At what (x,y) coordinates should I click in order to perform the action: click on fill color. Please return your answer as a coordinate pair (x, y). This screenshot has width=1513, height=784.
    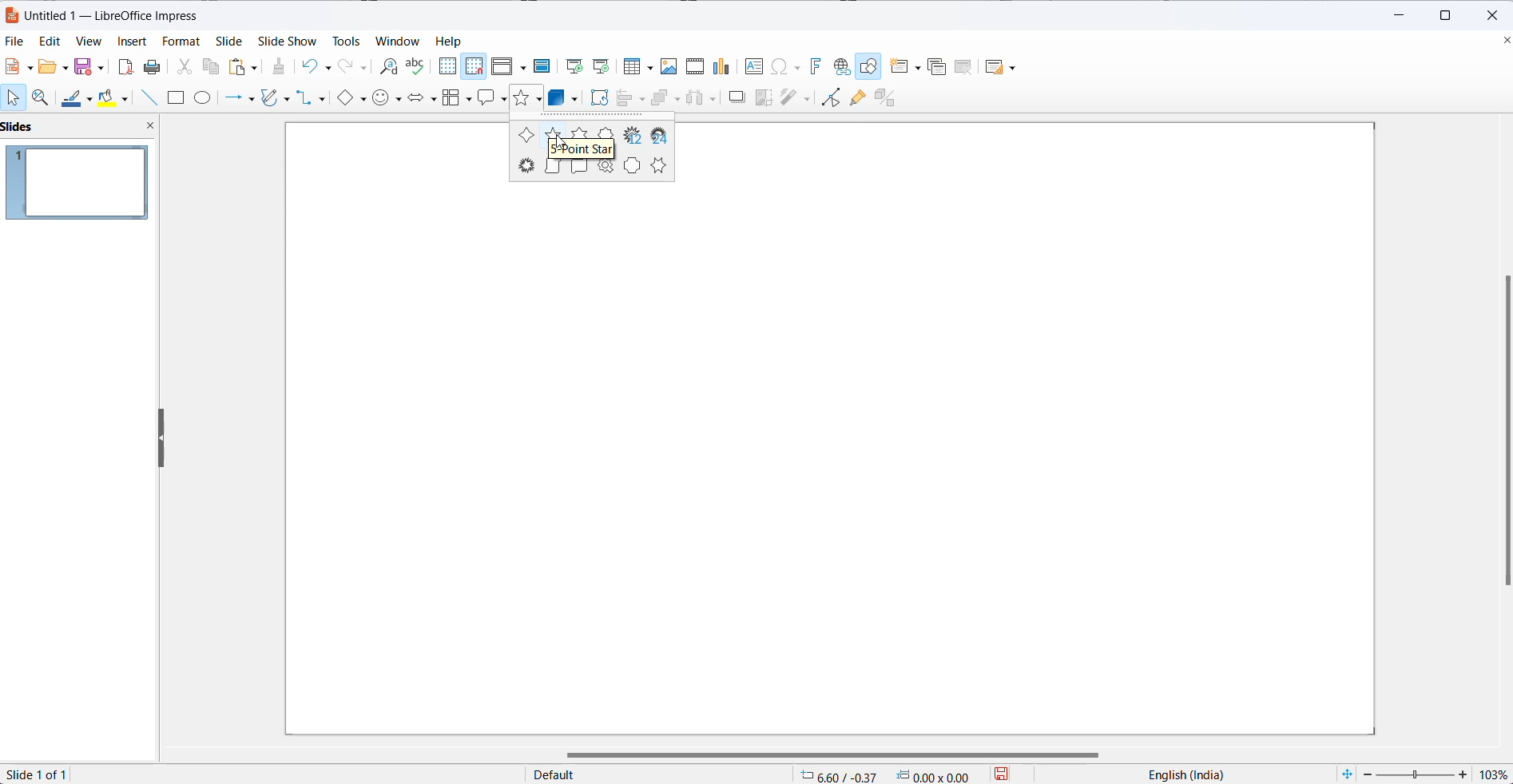
    Looking at the image, I should click on (117, 97).